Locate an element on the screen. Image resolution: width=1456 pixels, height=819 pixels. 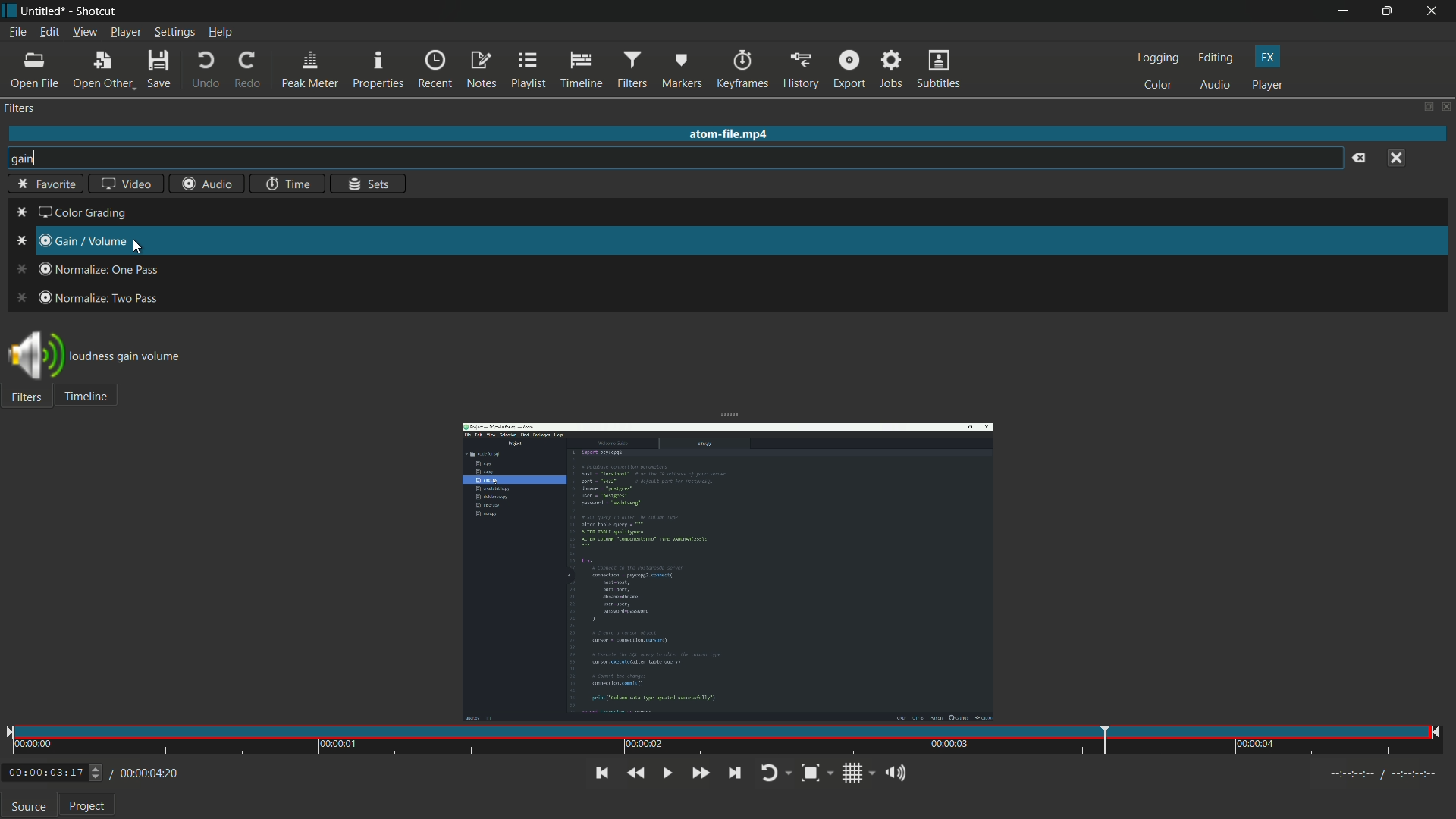
minimize is located at coordinates (1341, 11).